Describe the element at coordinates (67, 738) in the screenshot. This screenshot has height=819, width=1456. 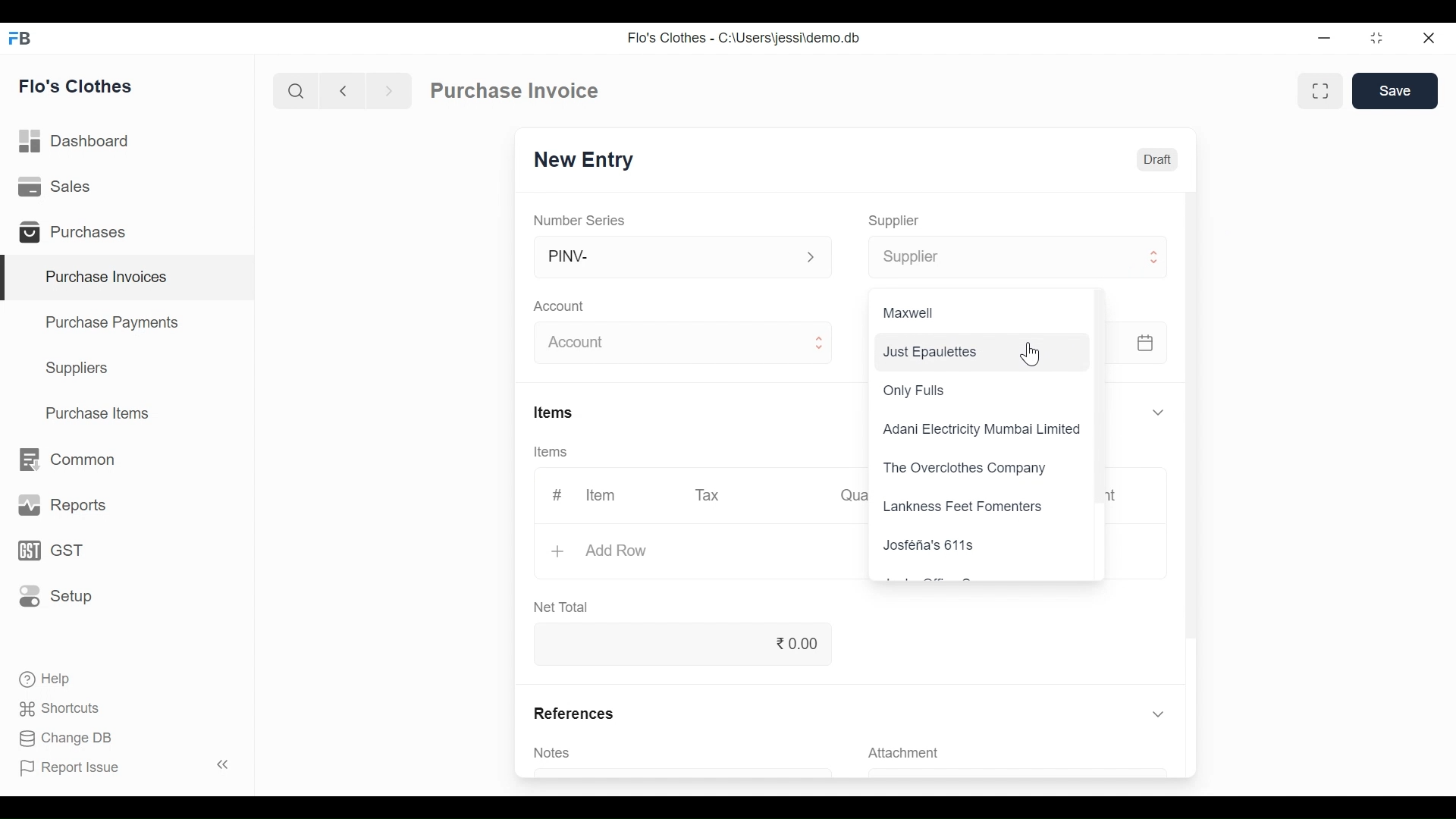
I see `Change DB` at that location.